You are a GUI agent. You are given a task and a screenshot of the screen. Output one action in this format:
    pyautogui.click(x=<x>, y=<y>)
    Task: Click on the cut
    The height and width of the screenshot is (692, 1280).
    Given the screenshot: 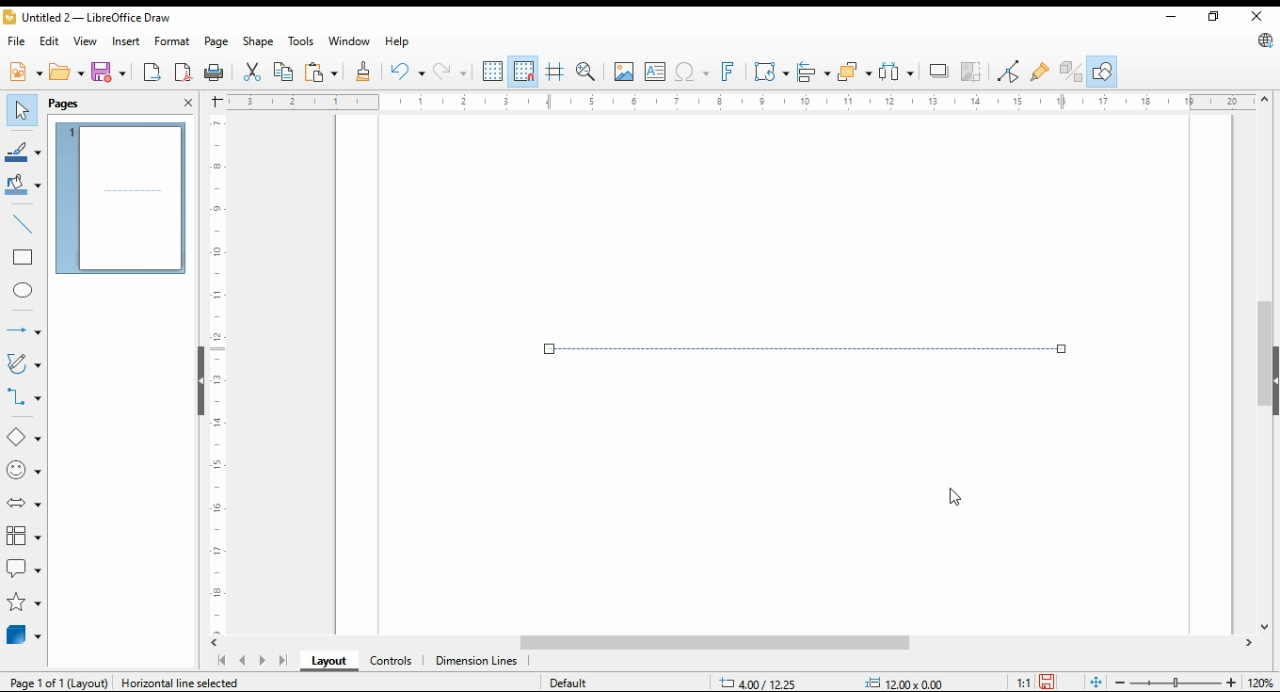 What is the action you would take?
    pyautogui.click(x=250, y=73)
    